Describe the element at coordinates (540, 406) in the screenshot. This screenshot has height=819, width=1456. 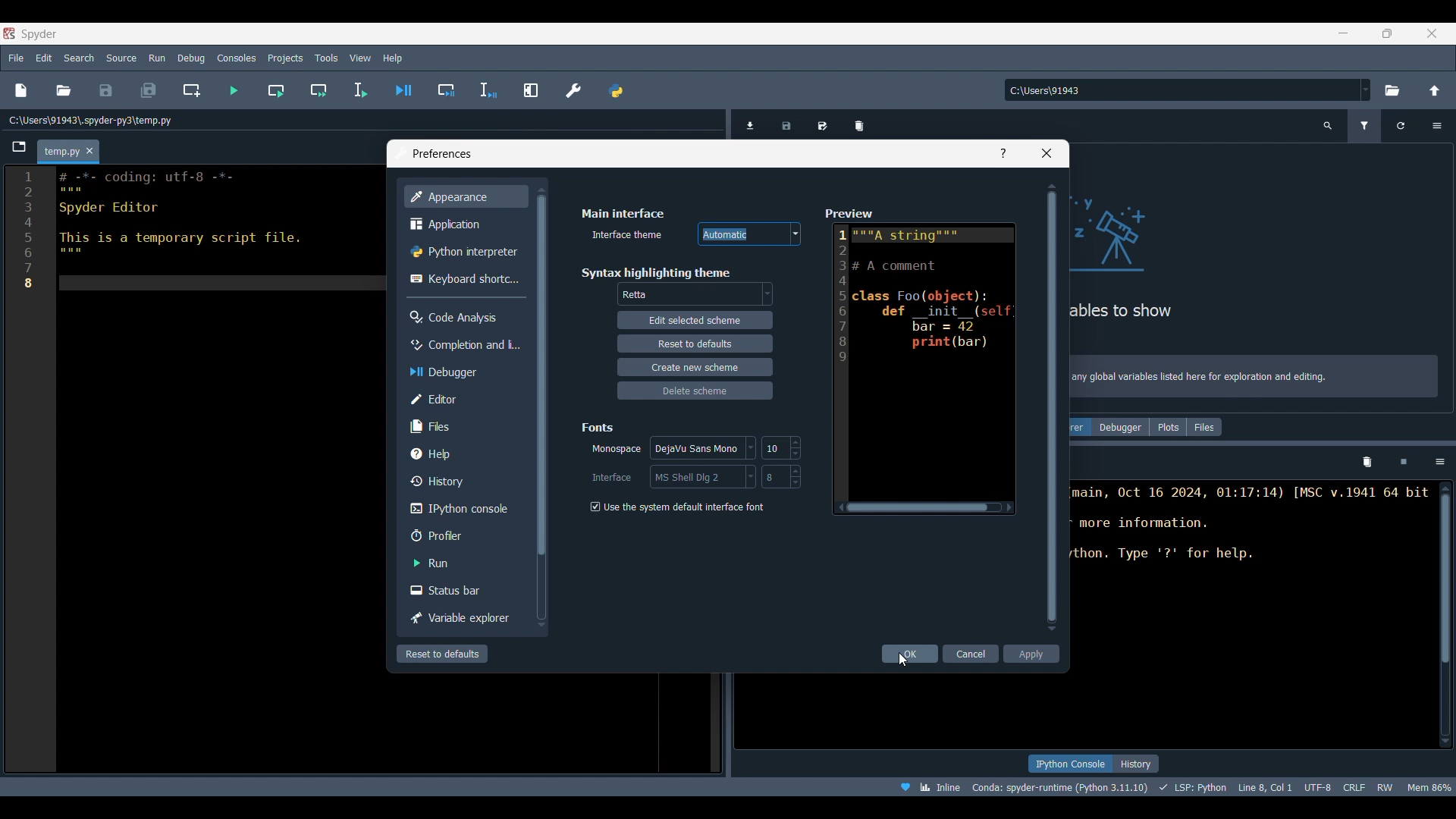
I see `Vertical slide bar` at that location.